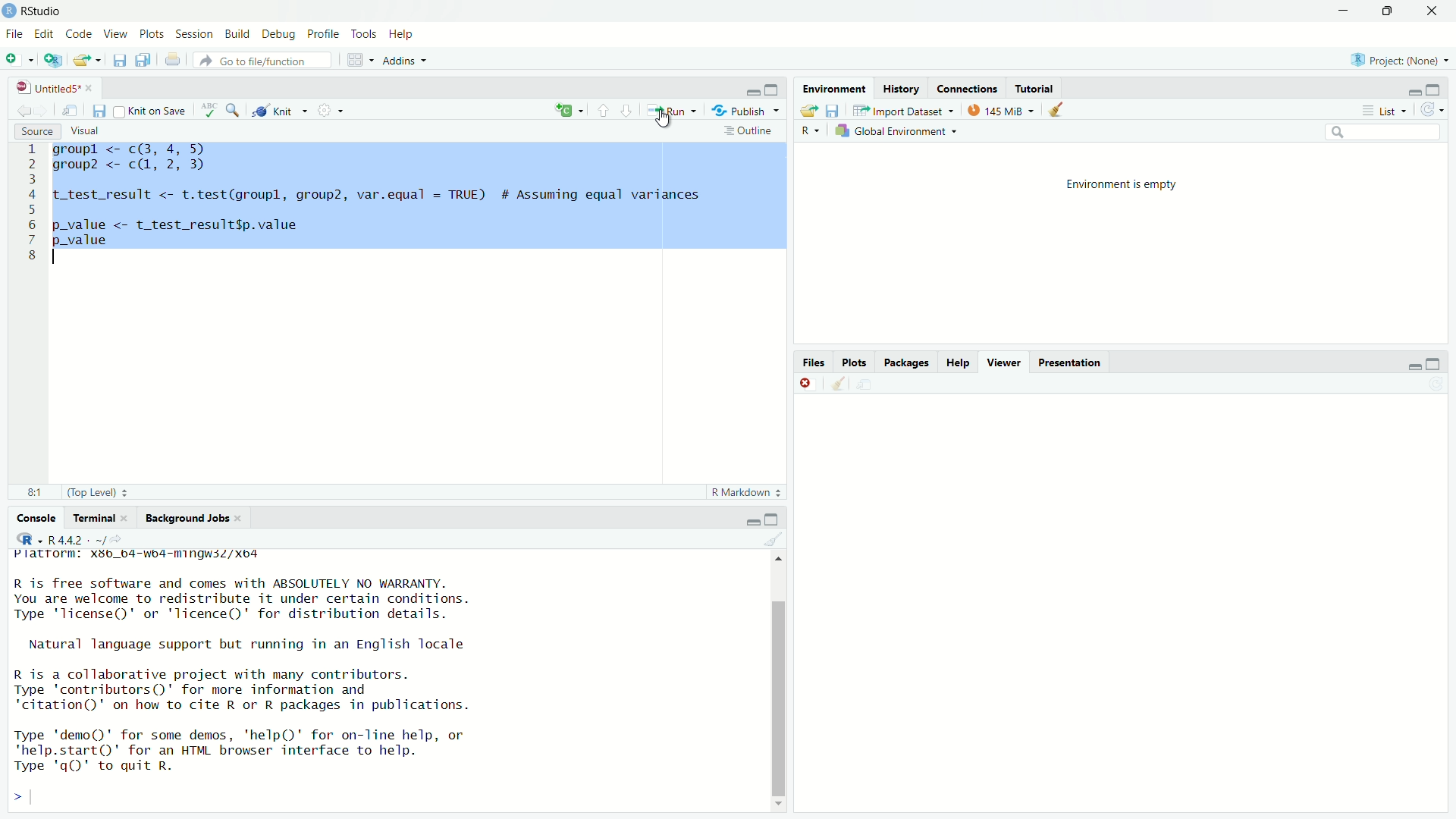 This screenshot has height=819, width=1456. What do you see at coordinates (811, 131) in the screenshot?
I see `` at bounding box center [811, 131].